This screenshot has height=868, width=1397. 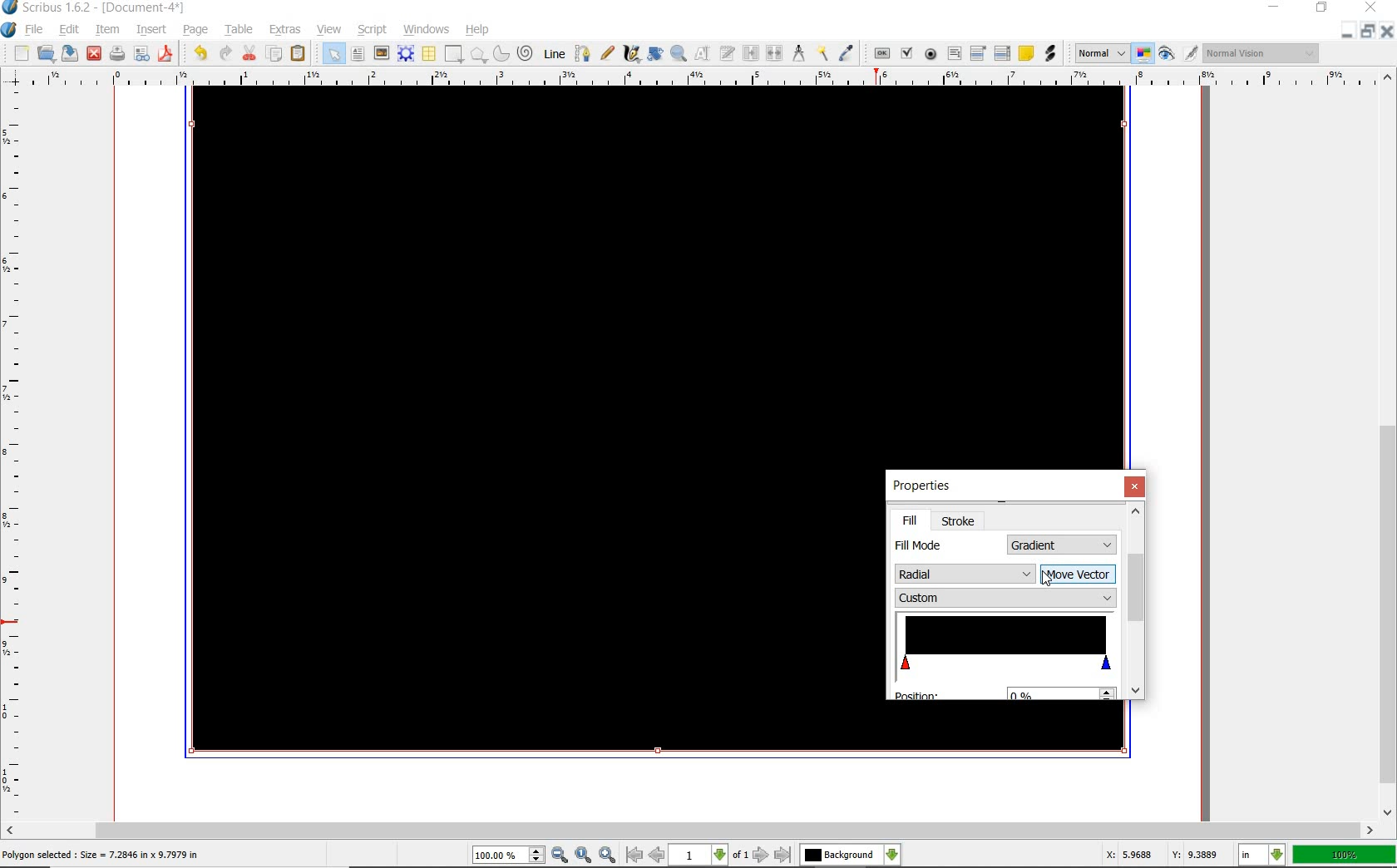 I want to click on new, so click(x=16, y=53).